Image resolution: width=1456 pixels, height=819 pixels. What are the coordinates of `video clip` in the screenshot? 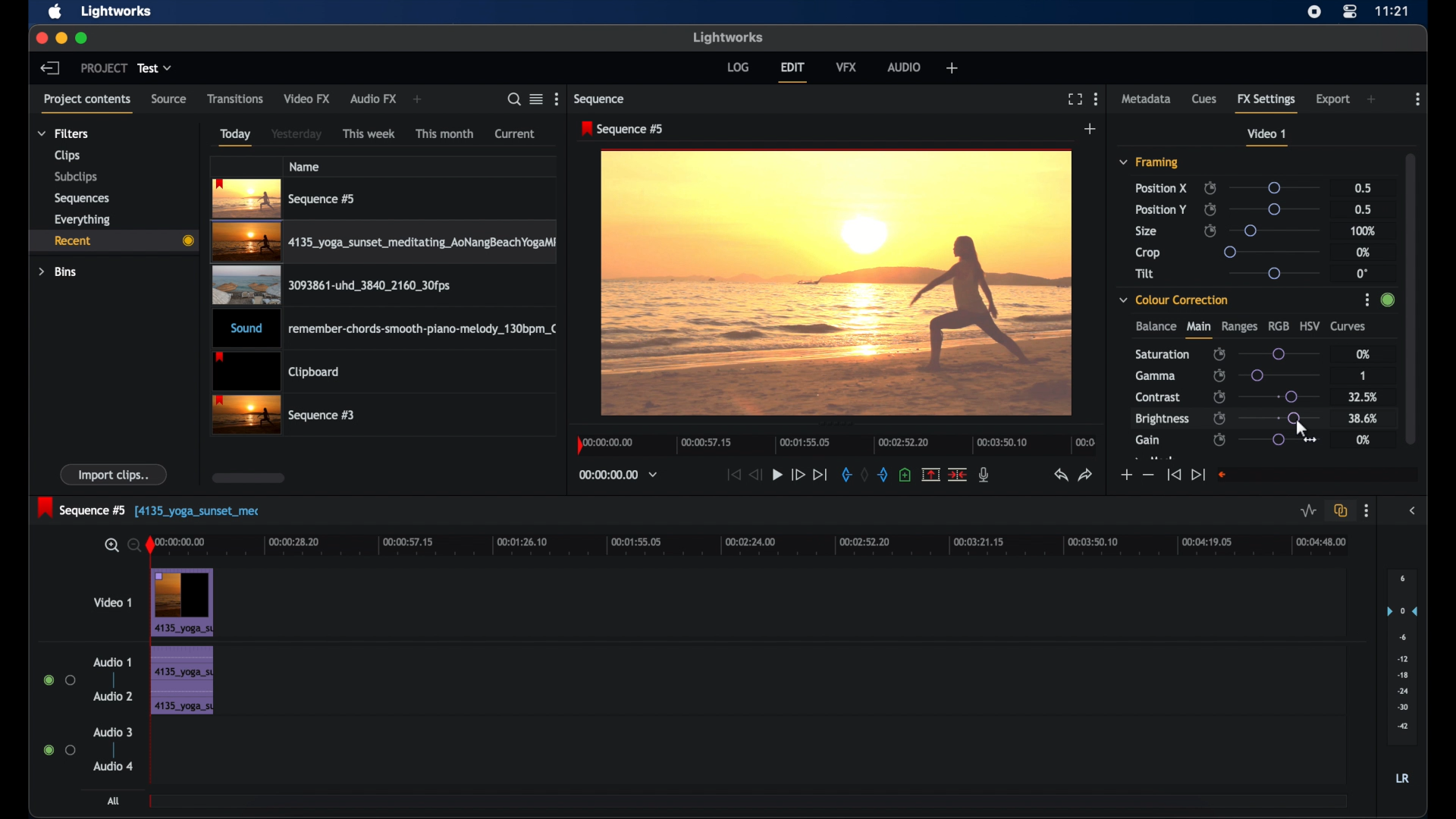 It's located at (386, 244).